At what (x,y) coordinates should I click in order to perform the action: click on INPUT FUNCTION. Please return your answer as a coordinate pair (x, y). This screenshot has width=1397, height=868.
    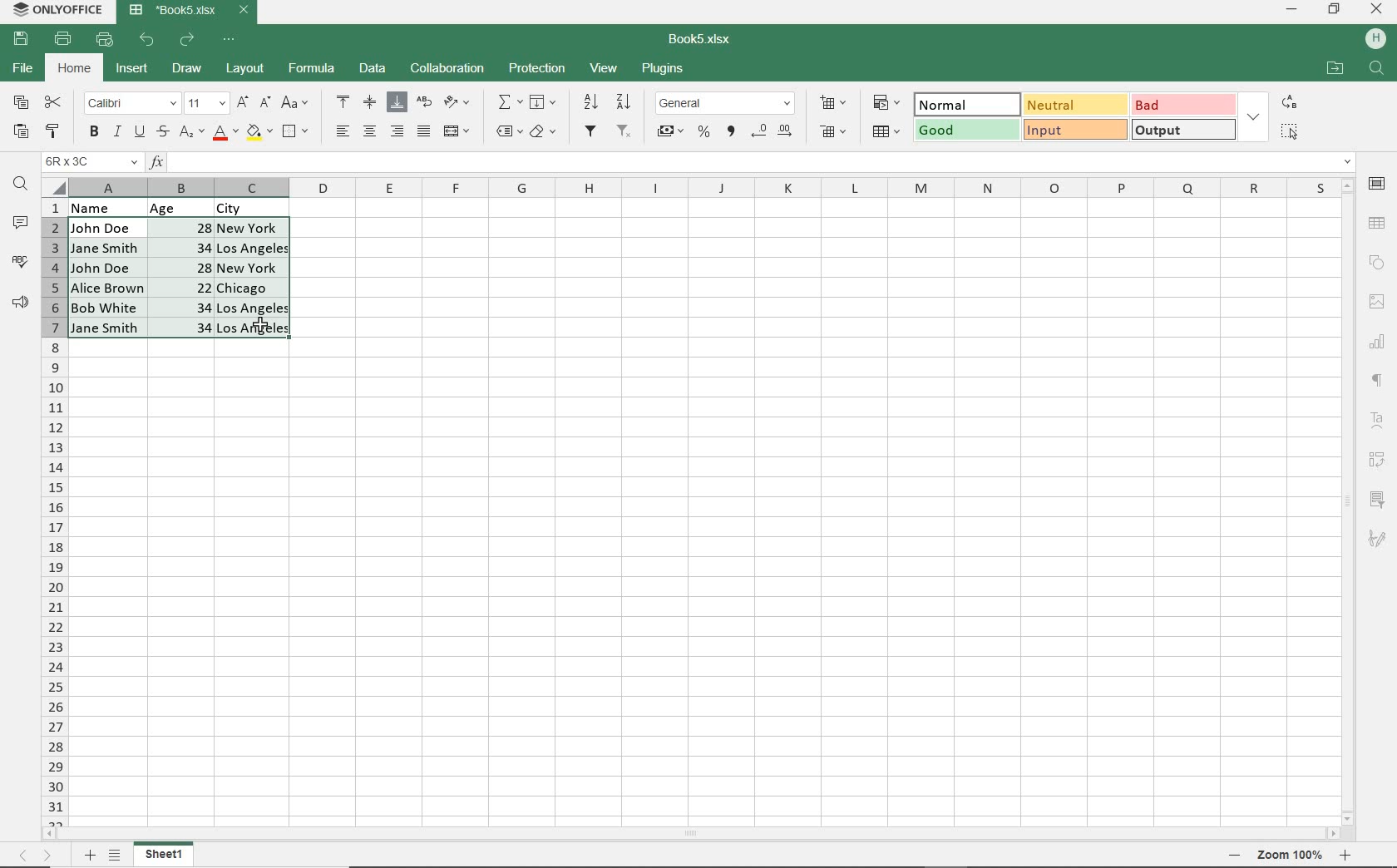
    Looking at the image, I should click on (752, 162).